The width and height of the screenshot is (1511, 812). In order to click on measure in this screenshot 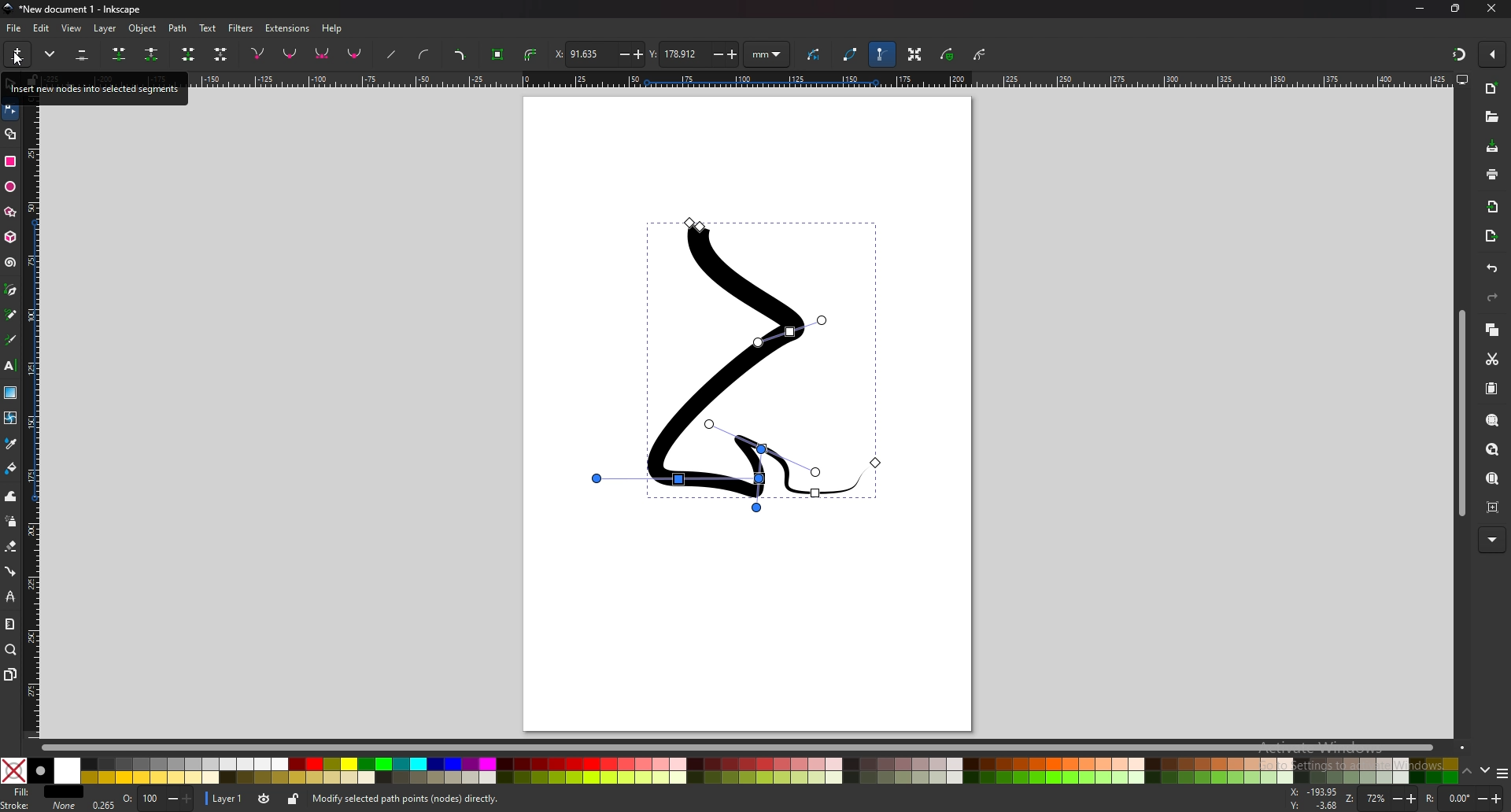, I will do `click(9, 625)`.